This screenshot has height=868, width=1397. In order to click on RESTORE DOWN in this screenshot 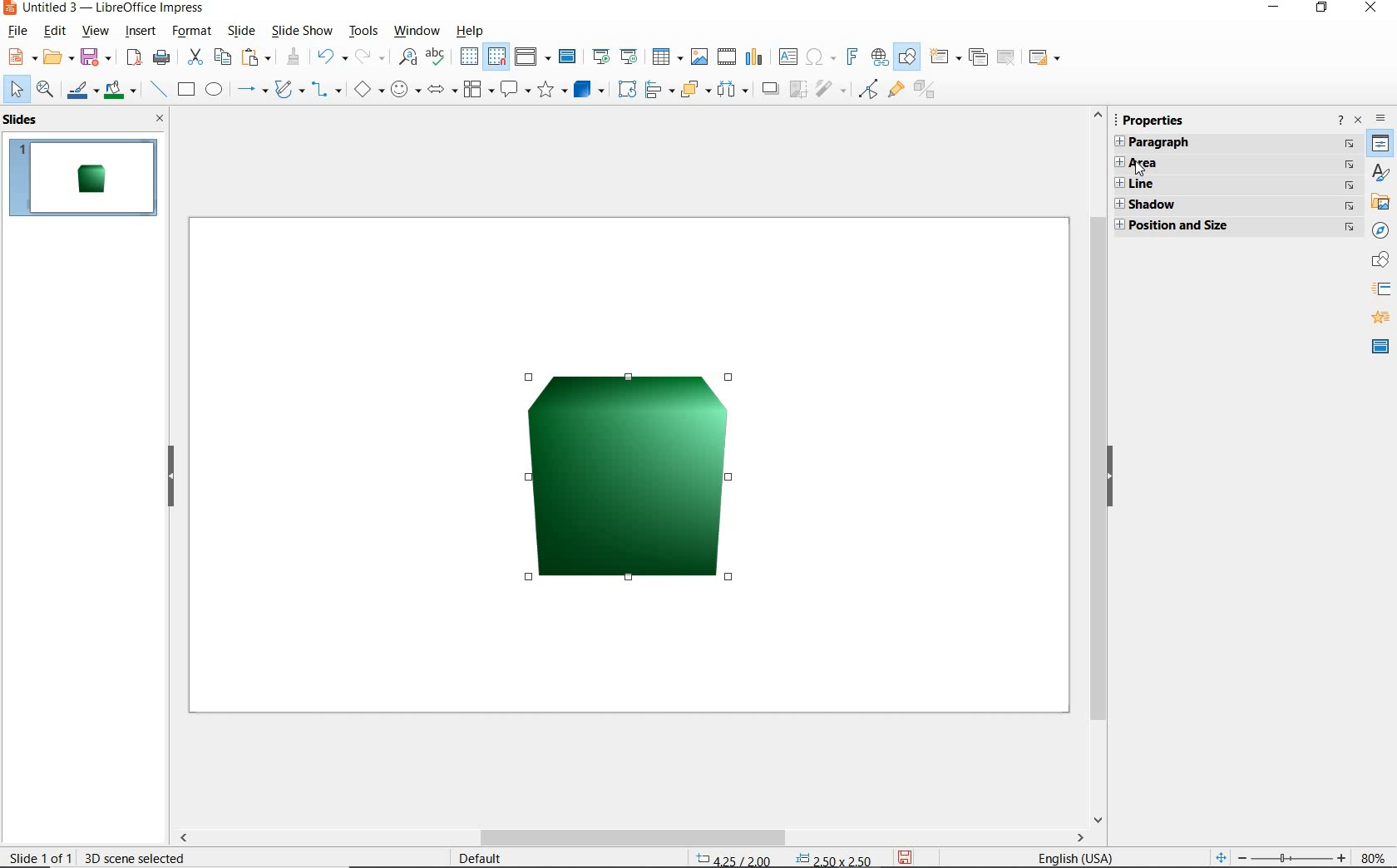, I will do `click(1321, 9)`.